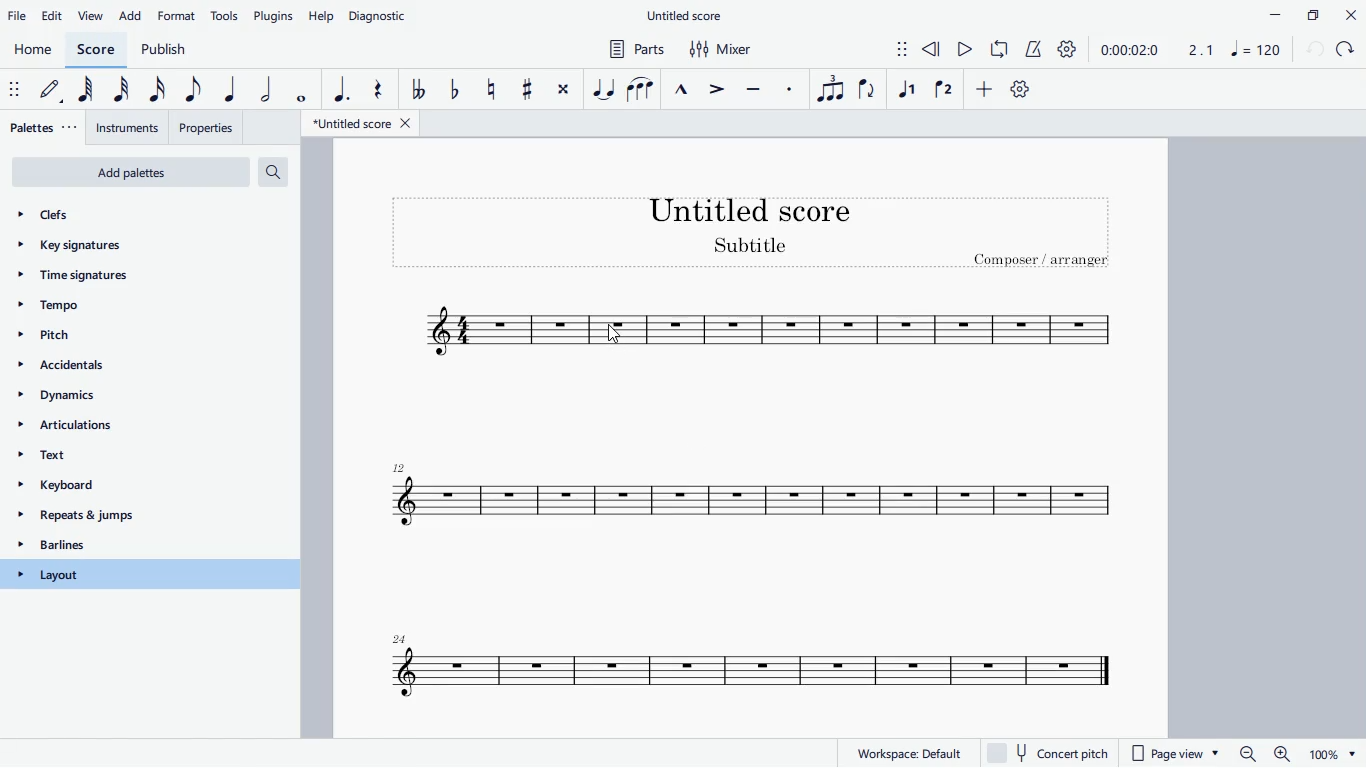 This screenshot has height=768, width=1366. Describe the element at coordinates (1071, 50) in the screenshot. I see `settings` at that location.